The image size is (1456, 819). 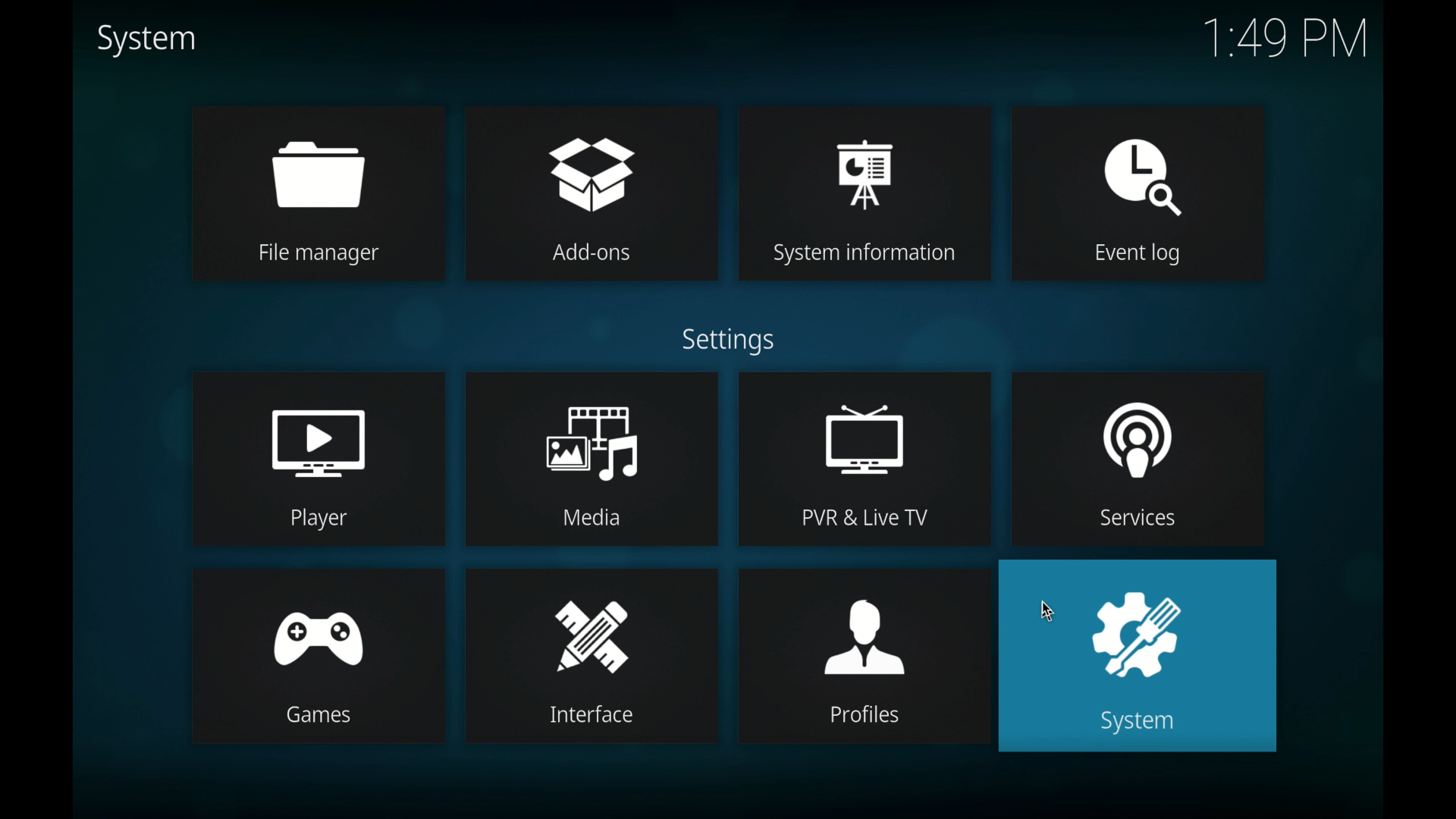 I want to click on cursor, so click(x=1051, y=610).